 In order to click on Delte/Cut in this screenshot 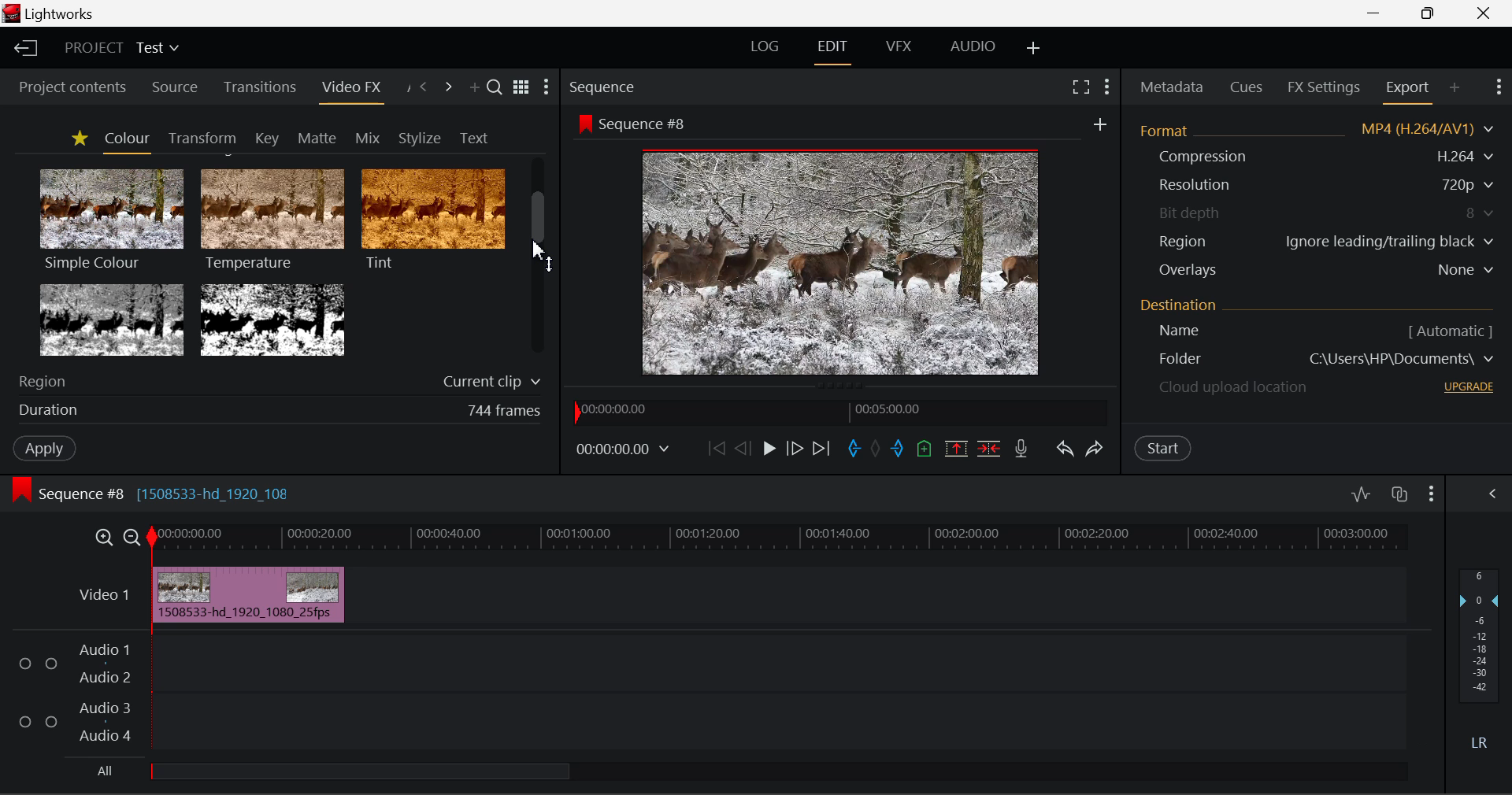, I will do `click(991, 449)`.